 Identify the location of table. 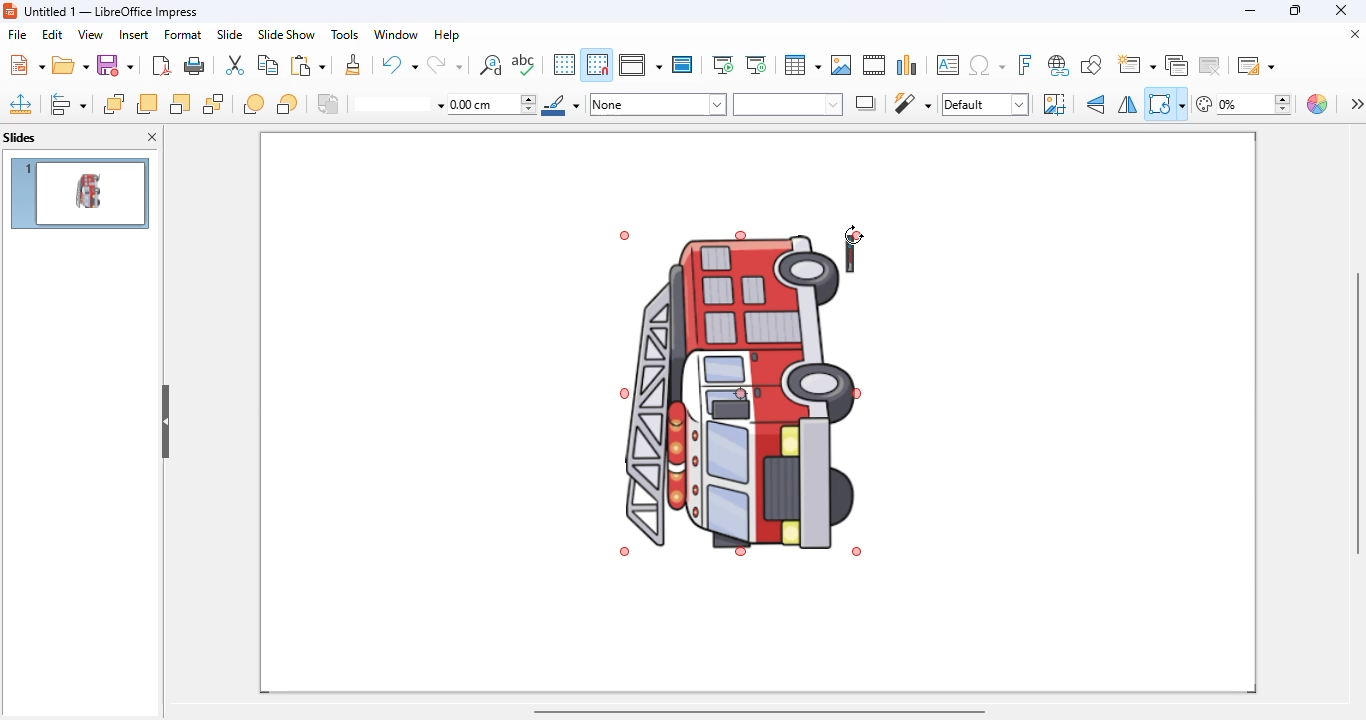
(803, 65).